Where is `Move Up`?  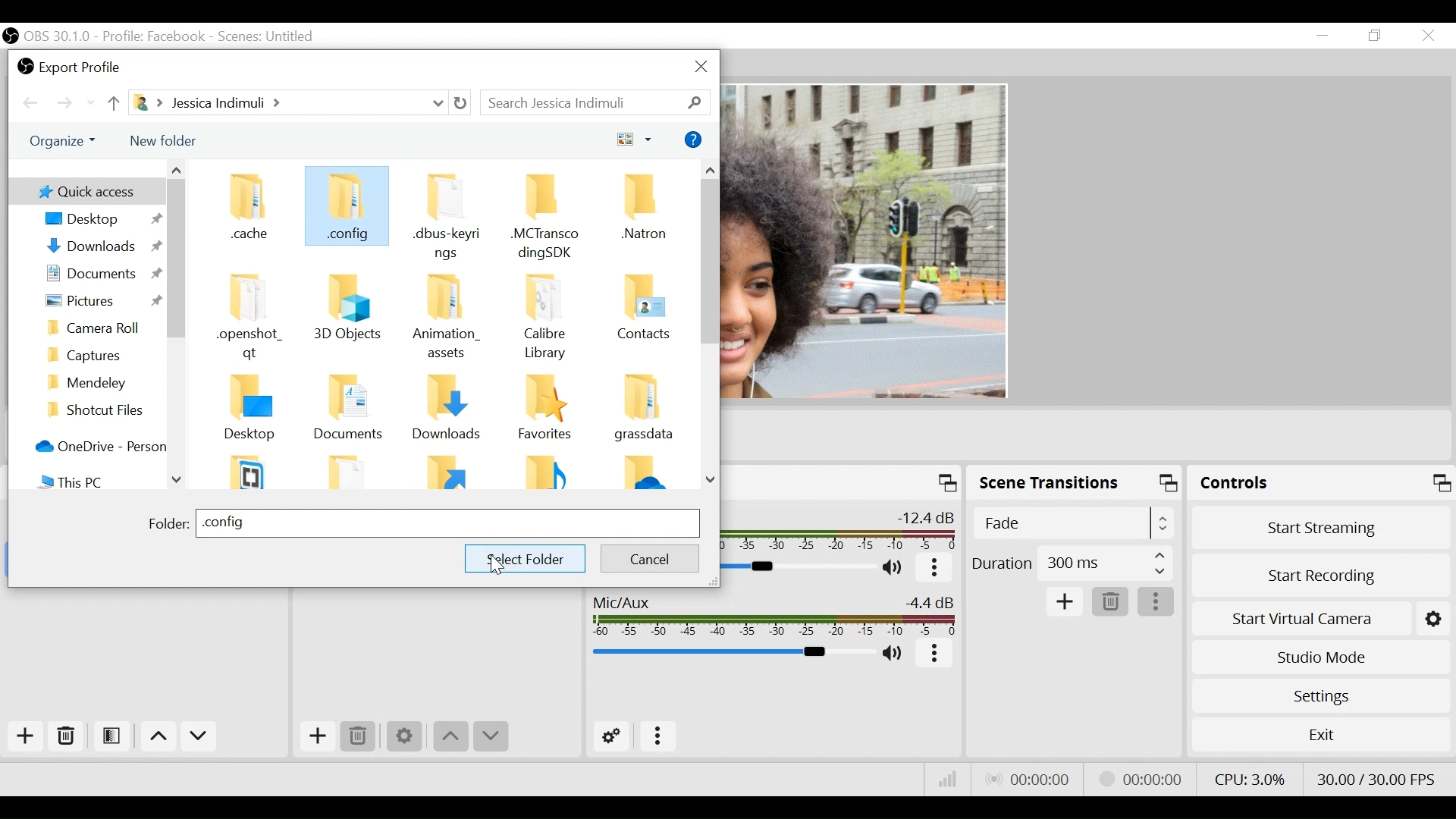 Move Up is located at coordinates (450, 739).